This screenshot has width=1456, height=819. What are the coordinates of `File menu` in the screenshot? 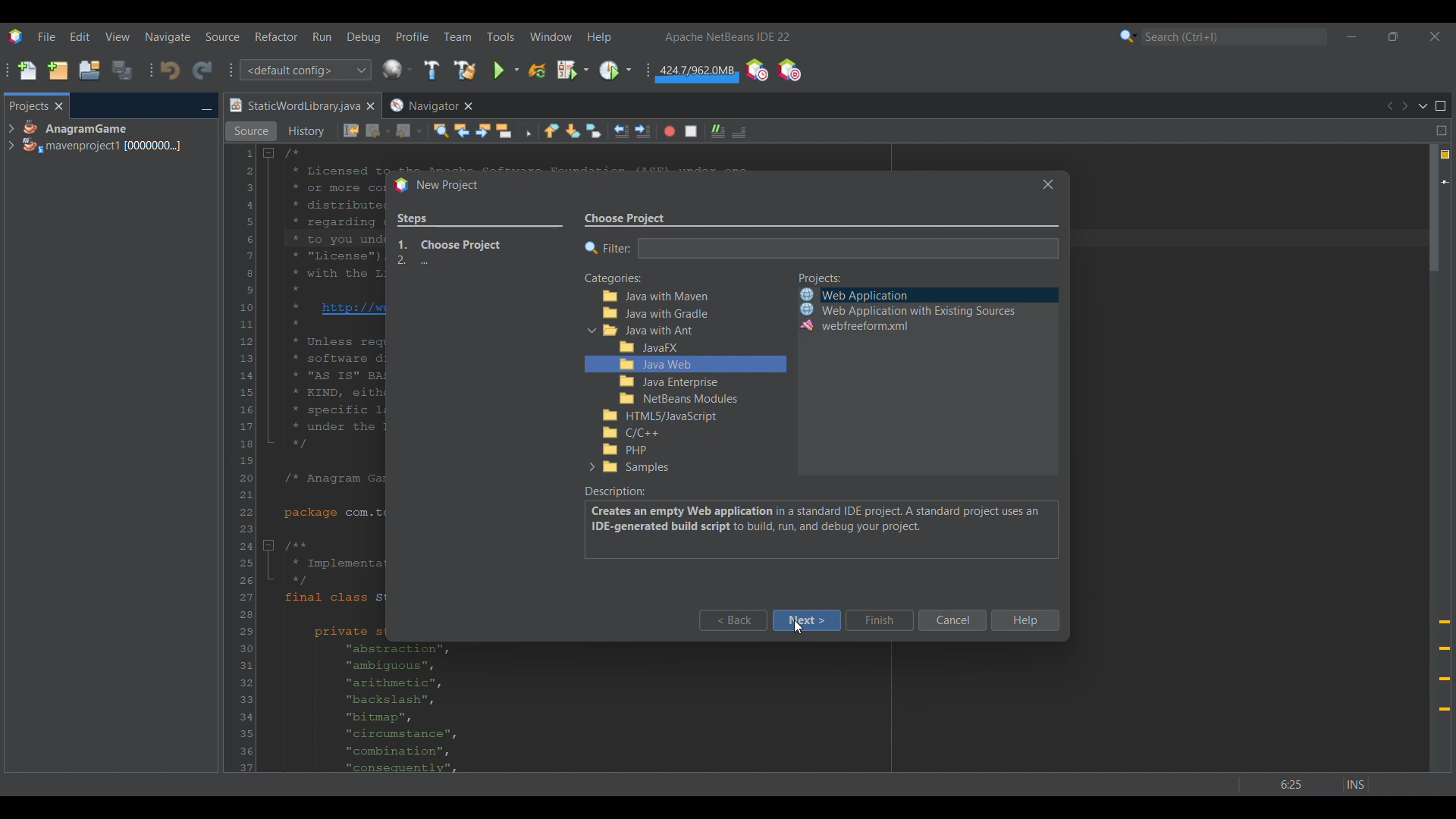 It's located at (46, 36).